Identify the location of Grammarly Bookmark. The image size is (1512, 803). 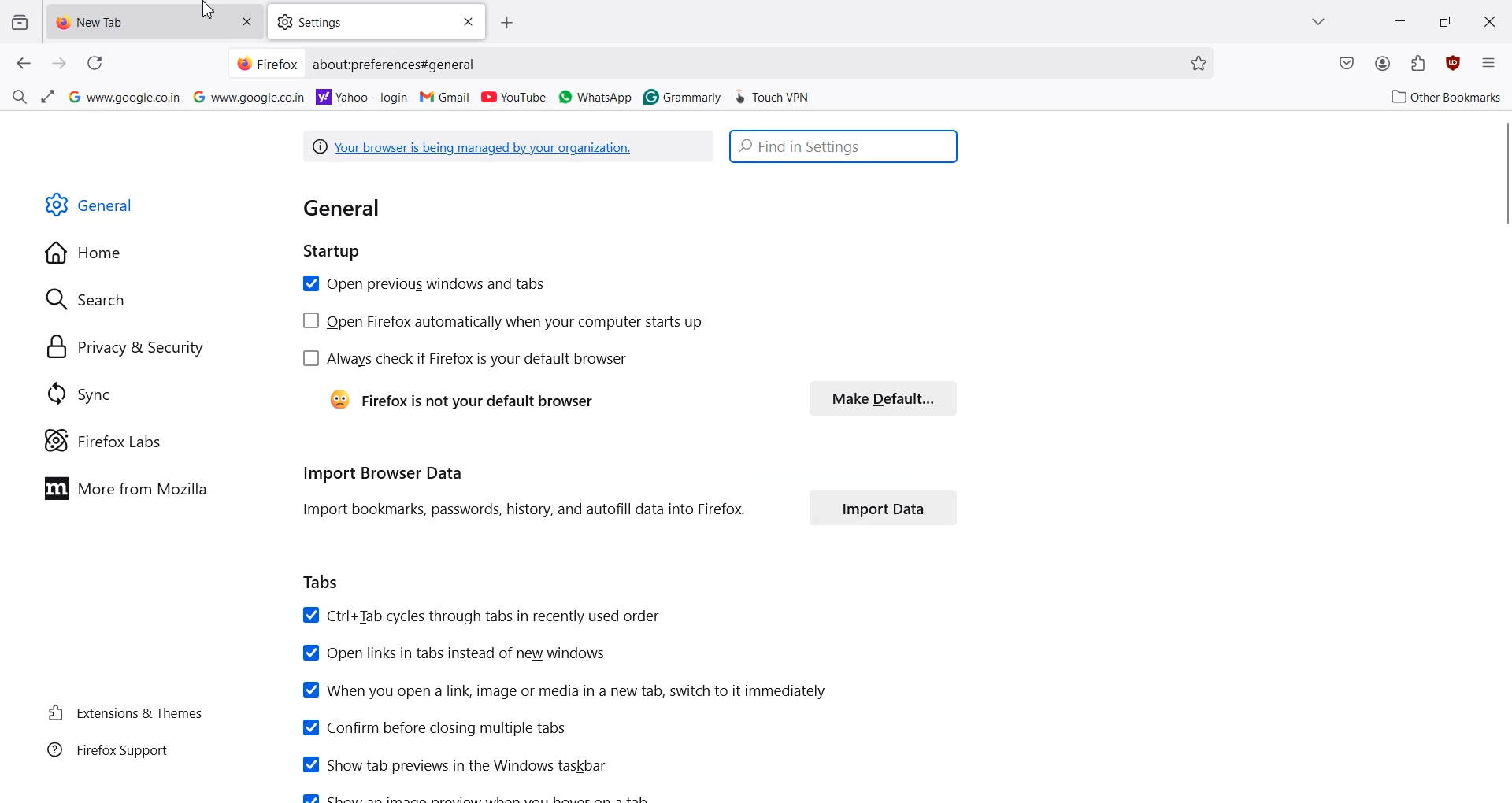
(681, 95).